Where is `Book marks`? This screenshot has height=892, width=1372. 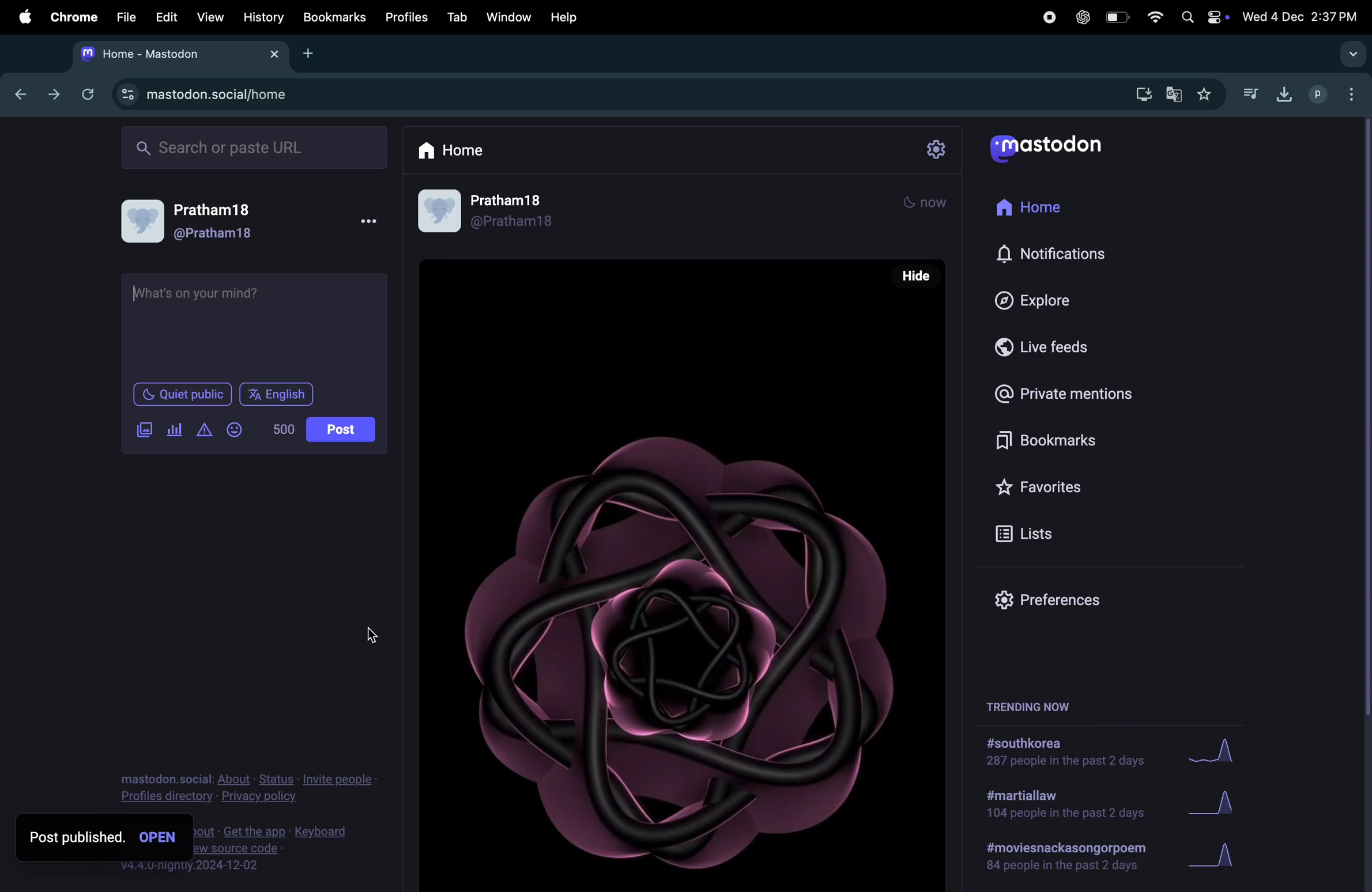 Book marks is located at coordinates (1039, 443).